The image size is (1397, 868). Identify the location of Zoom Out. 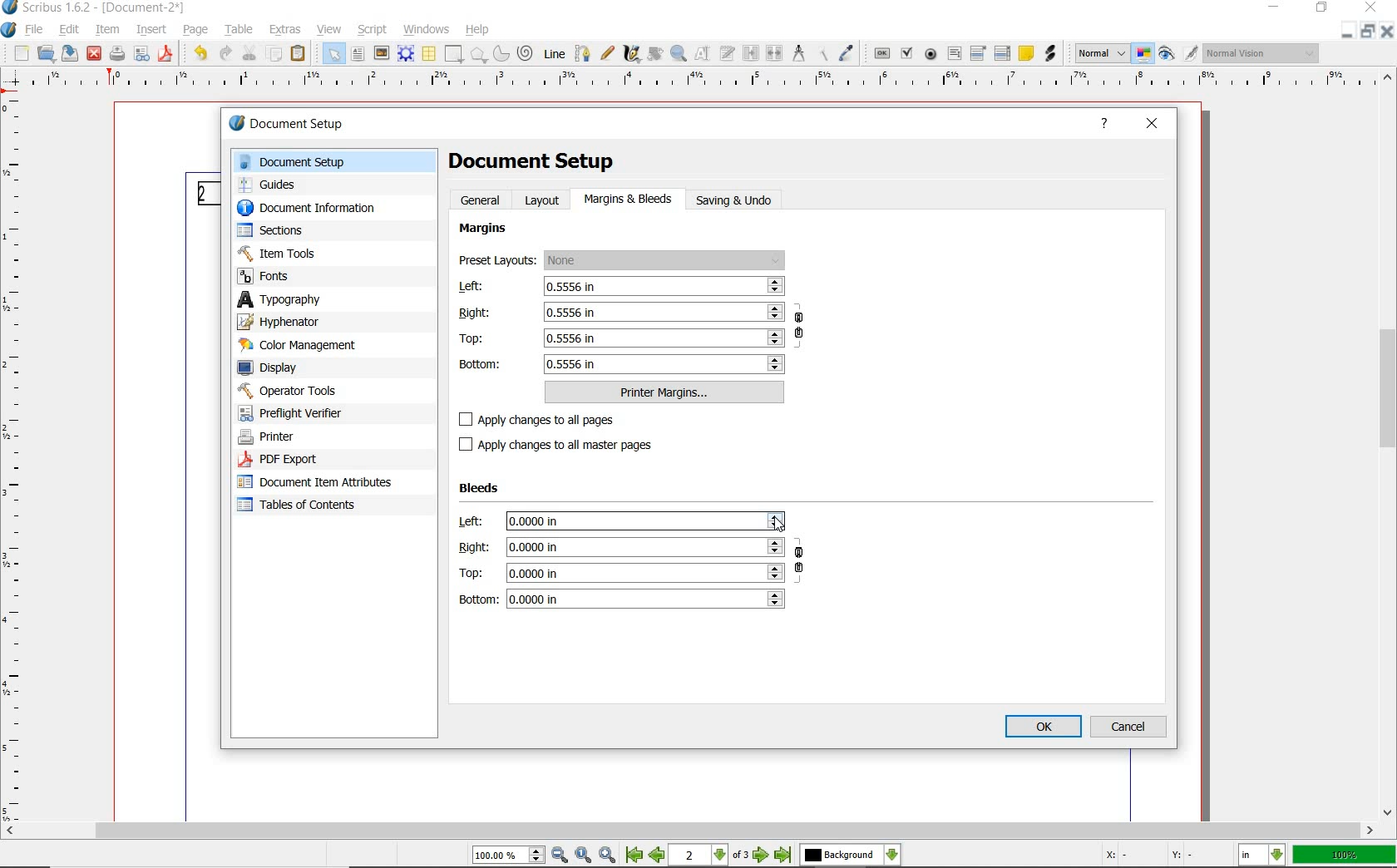
(560, 856).